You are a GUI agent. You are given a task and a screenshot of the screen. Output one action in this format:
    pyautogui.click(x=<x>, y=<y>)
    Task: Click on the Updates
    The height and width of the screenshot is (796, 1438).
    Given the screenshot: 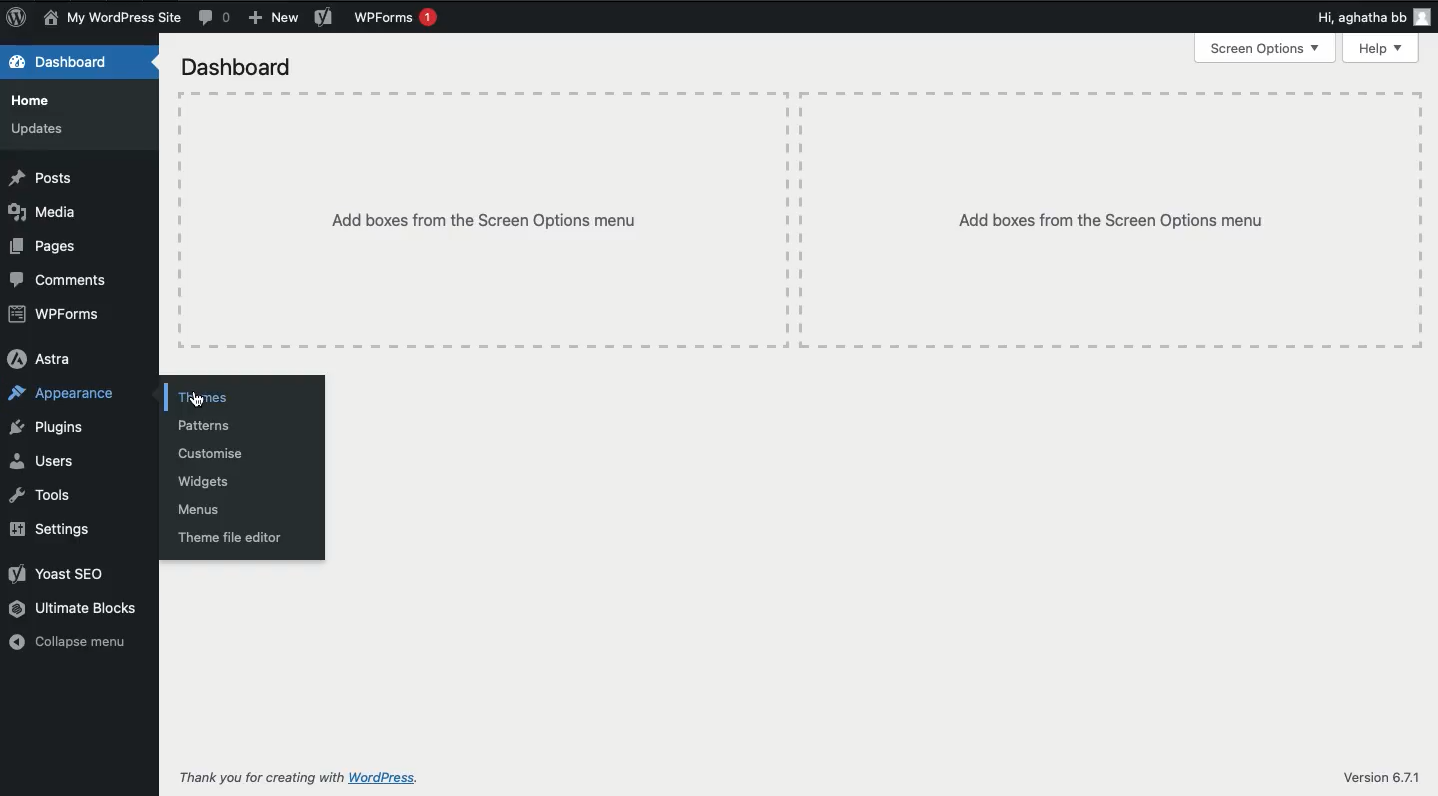 What is the action you would take?
    pyautogui.click(x=39, y=128)
    